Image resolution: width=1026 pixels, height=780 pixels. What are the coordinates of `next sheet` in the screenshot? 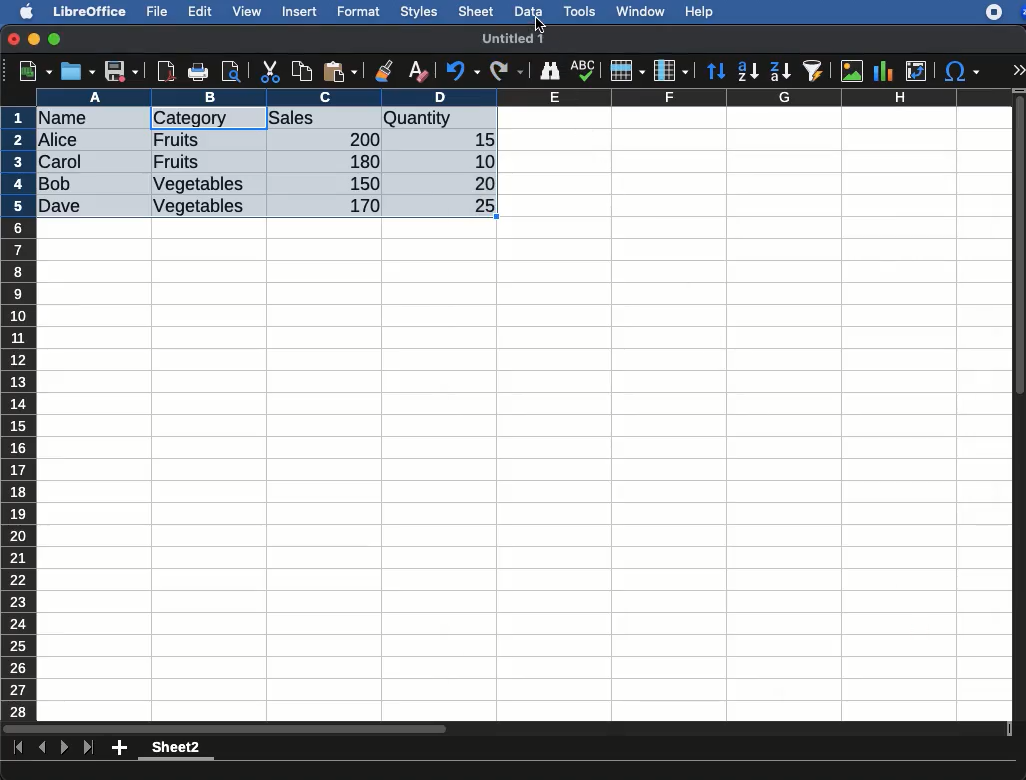 It's located at (62, 749).